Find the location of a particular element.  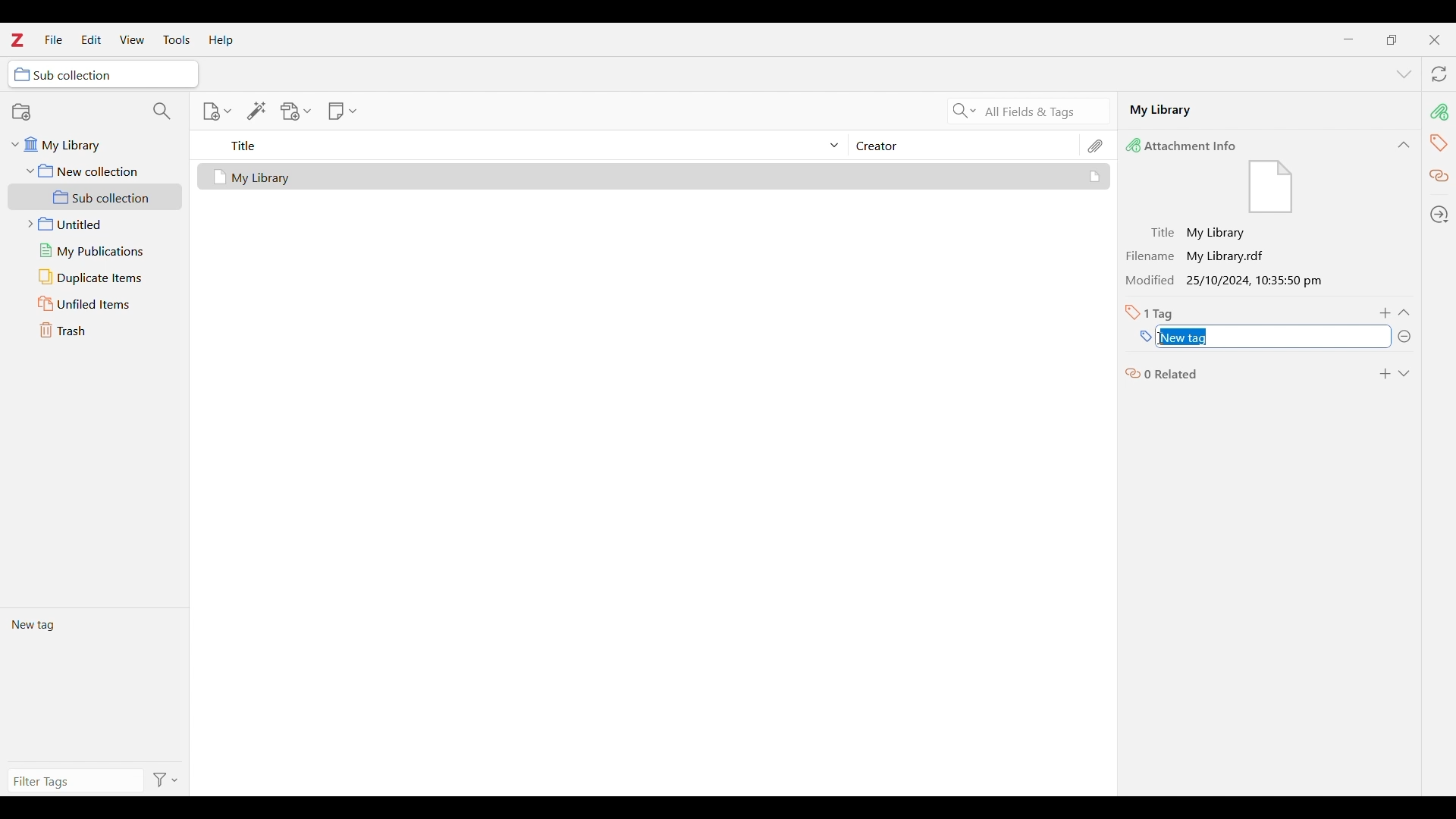

Filename My Library.radt is located at coordinates (1200, 256).